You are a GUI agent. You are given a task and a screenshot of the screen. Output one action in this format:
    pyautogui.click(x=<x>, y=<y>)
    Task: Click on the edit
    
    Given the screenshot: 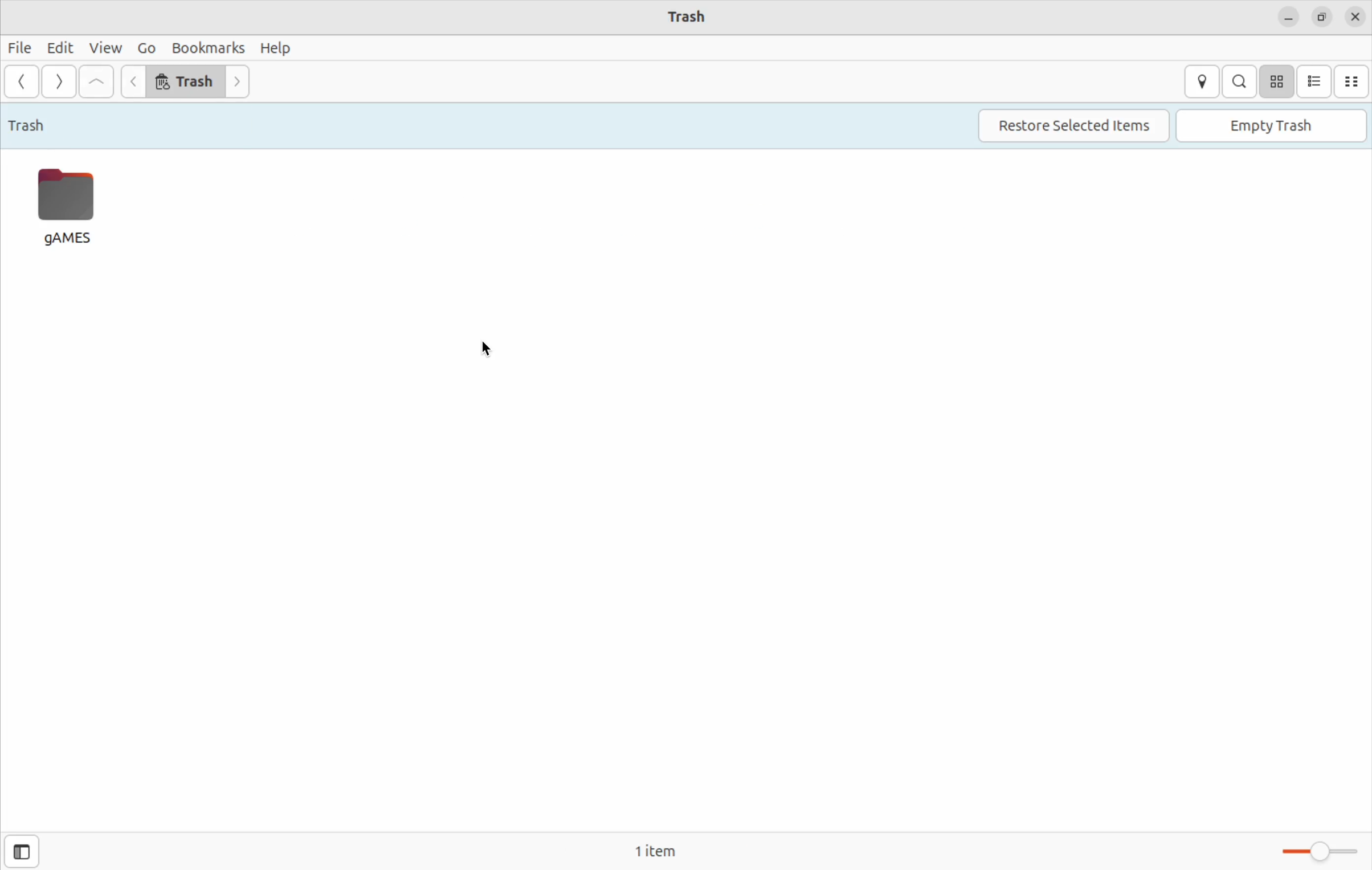 What is the action you would take?
    pyautogui.click(x=60, y=48)
    